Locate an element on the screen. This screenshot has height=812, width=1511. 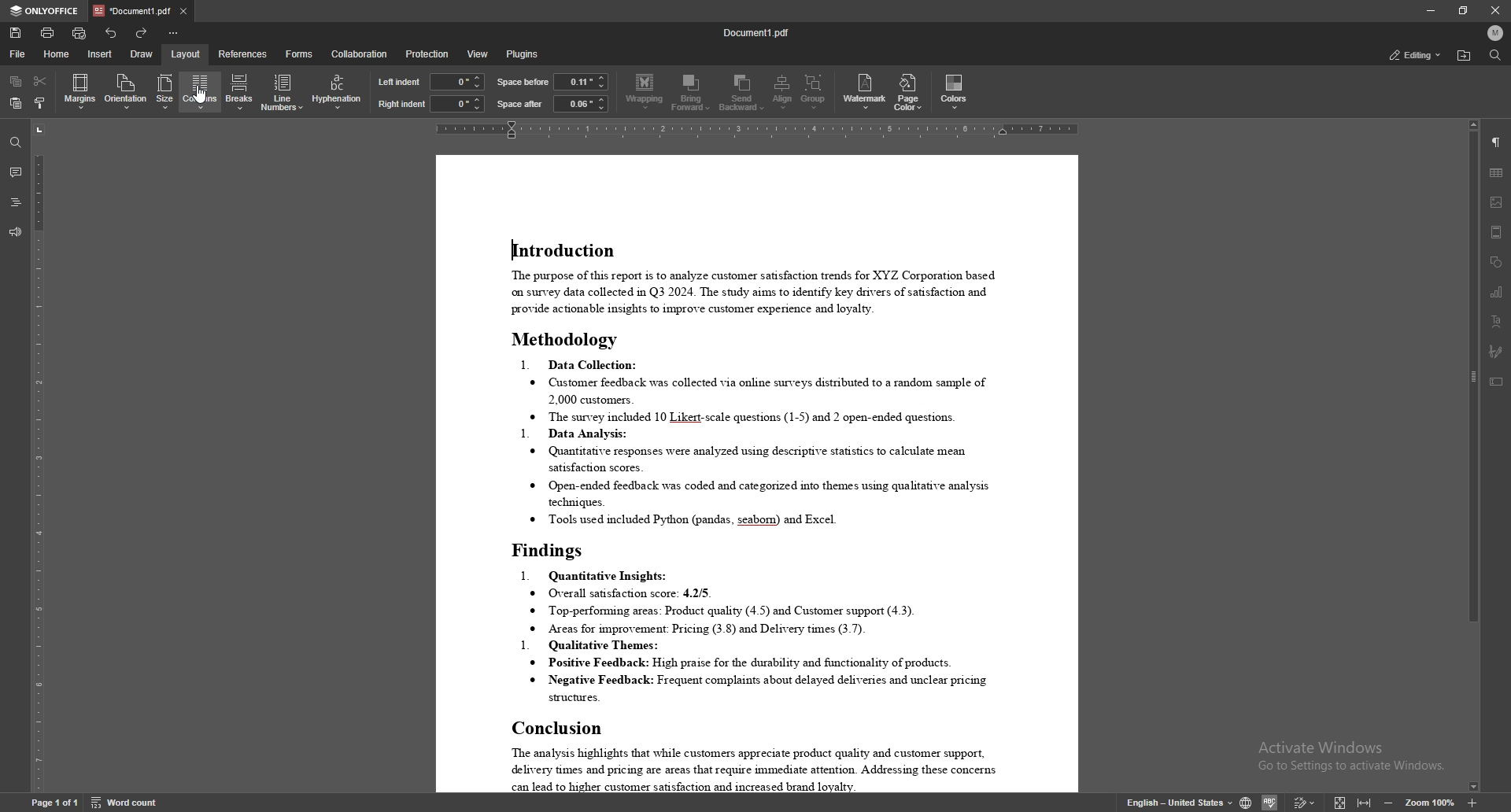
horizontal scale is located at coordinates (762, 130).